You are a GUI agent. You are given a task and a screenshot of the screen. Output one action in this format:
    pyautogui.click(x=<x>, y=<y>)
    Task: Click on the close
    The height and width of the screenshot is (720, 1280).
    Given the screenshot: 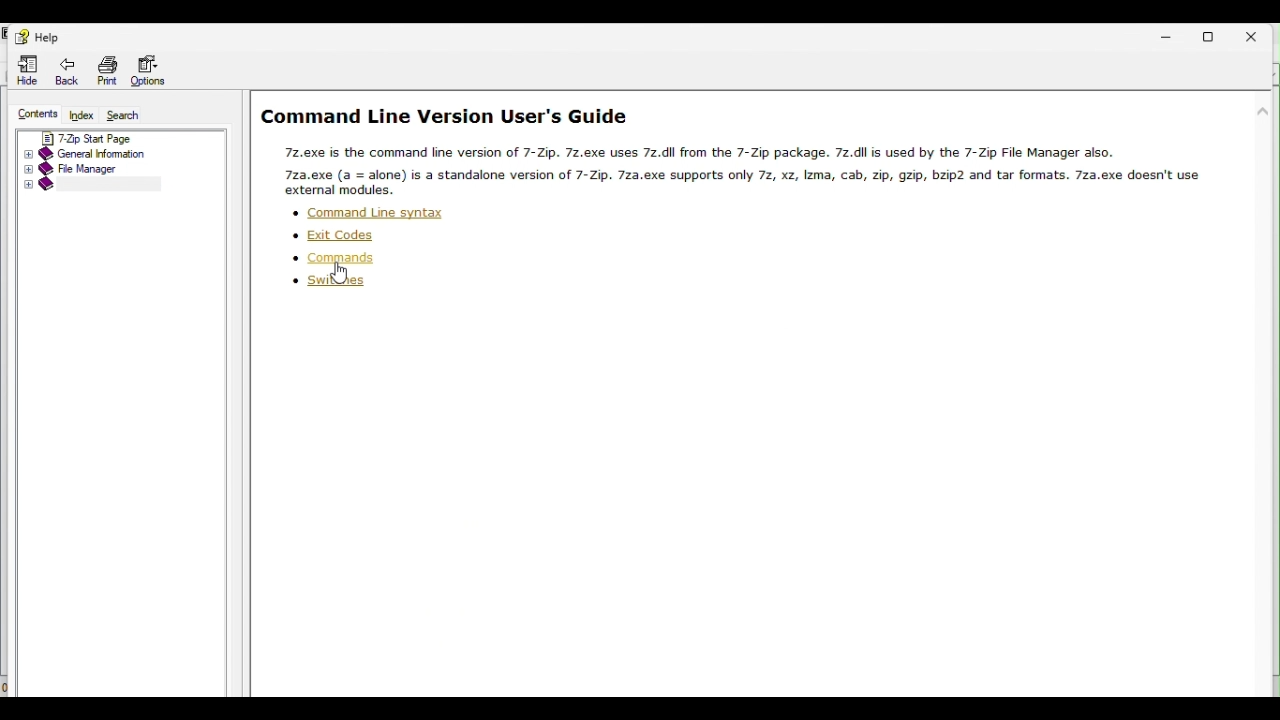 What is the action you would take?
    pyautogui.click(x=1260, y=35)
    